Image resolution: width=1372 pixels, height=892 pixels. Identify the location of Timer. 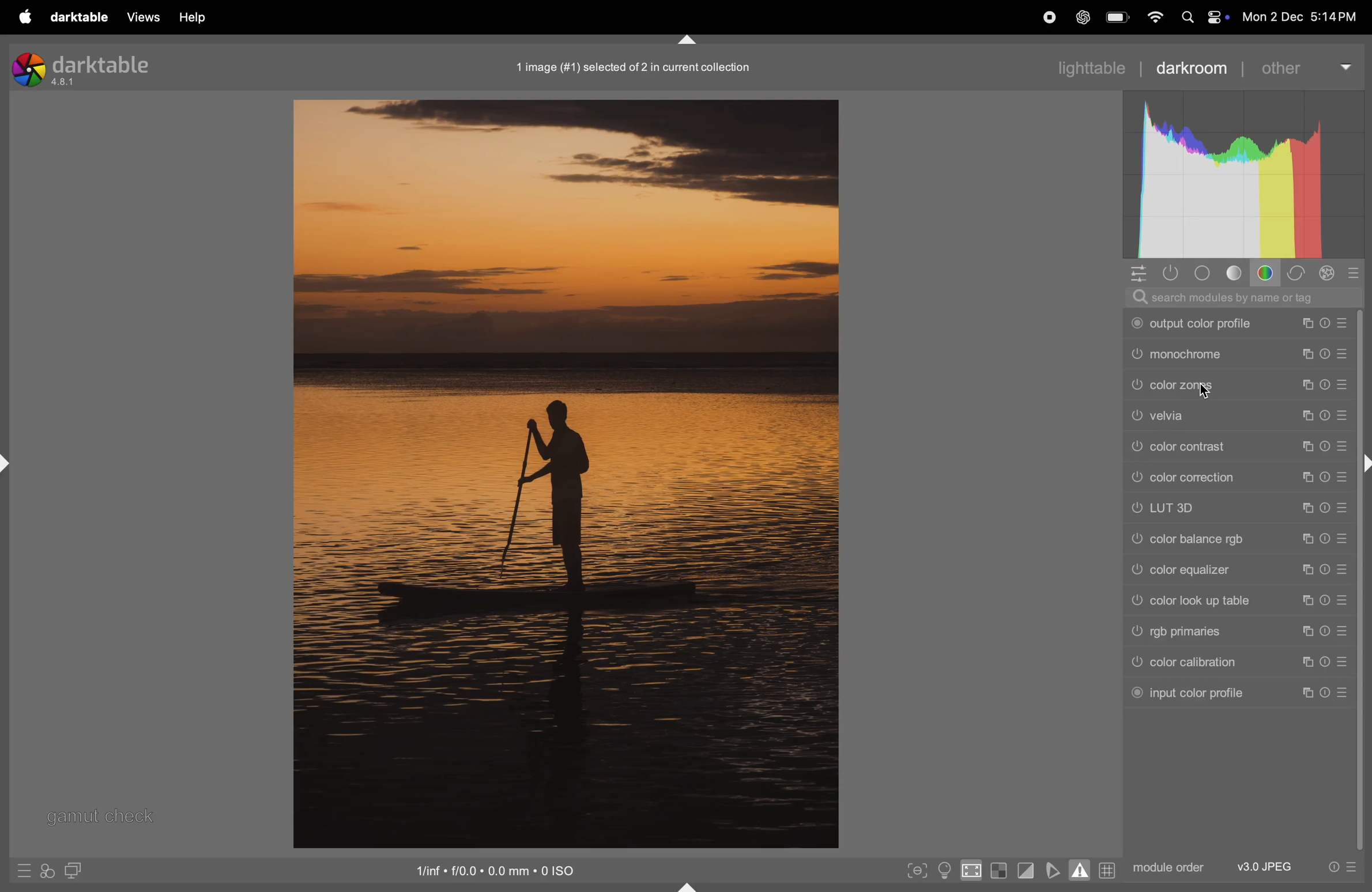
(1325, 538).